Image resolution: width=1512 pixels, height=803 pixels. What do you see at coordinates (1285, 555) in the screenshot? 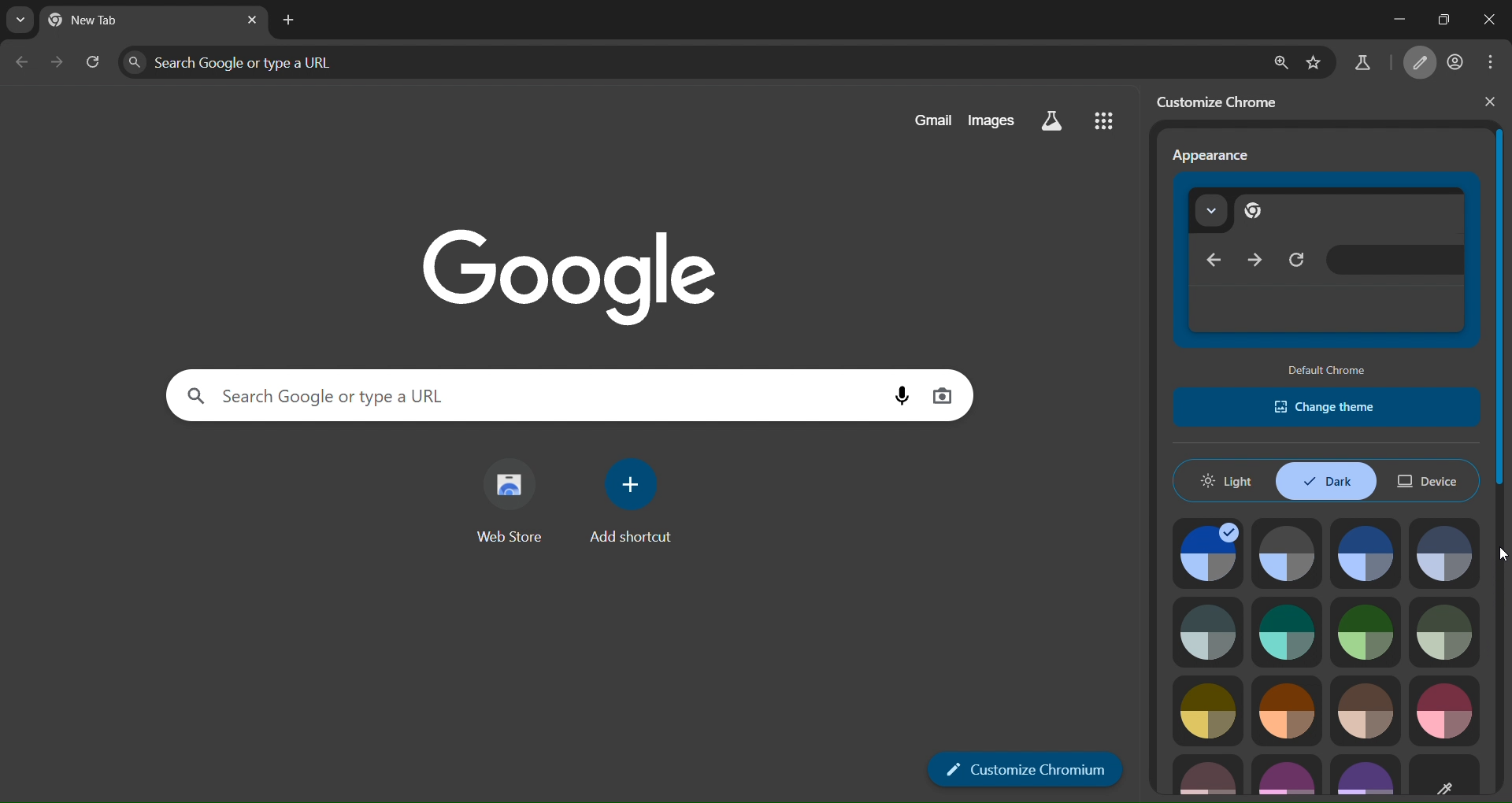
I see `theme` at bounding box center [1285, 555].